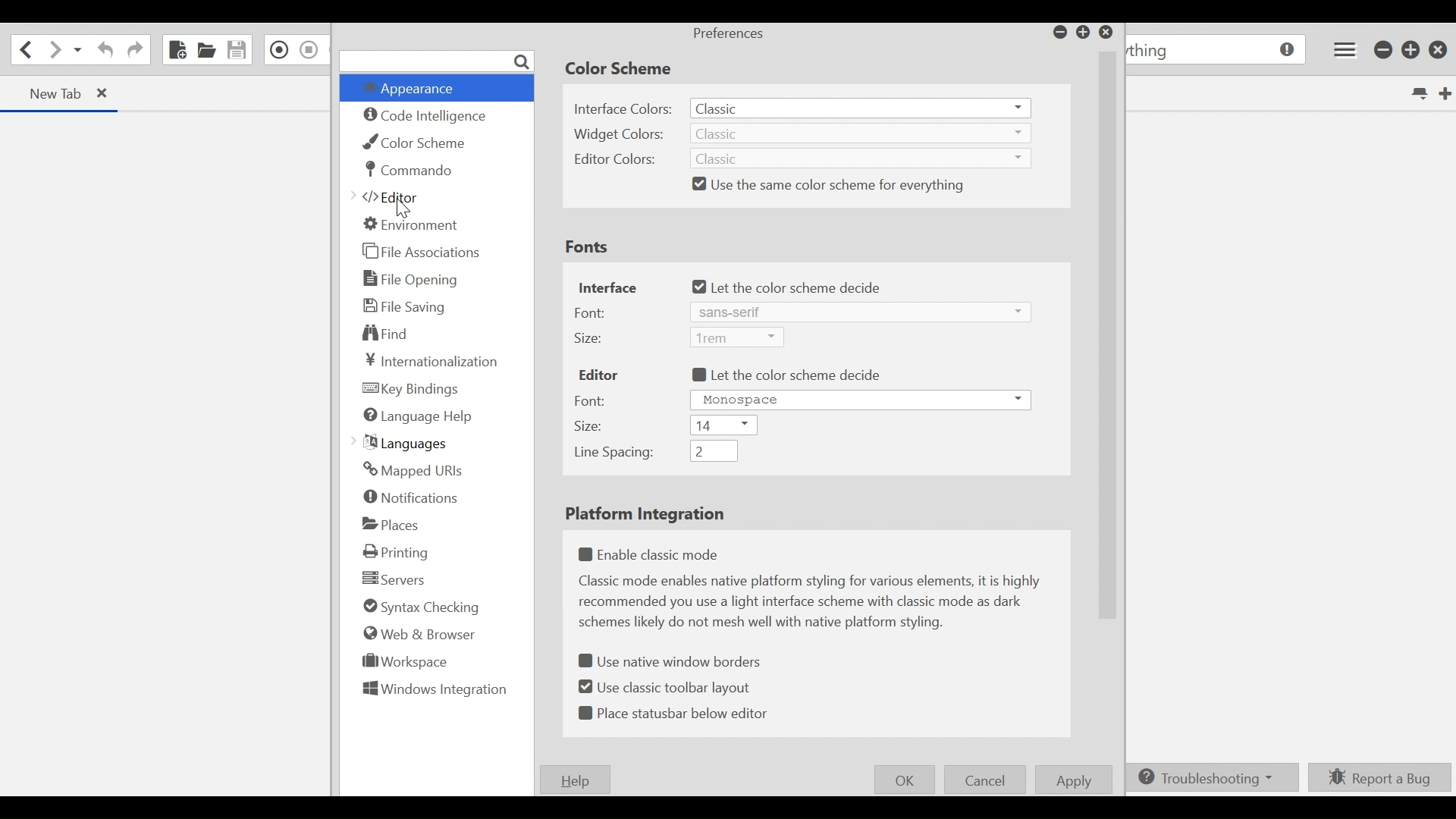  What do you see at coordinates (1420, 92) in the screenshot?
I see `List all tabs` at bounding box center [1420, 92].